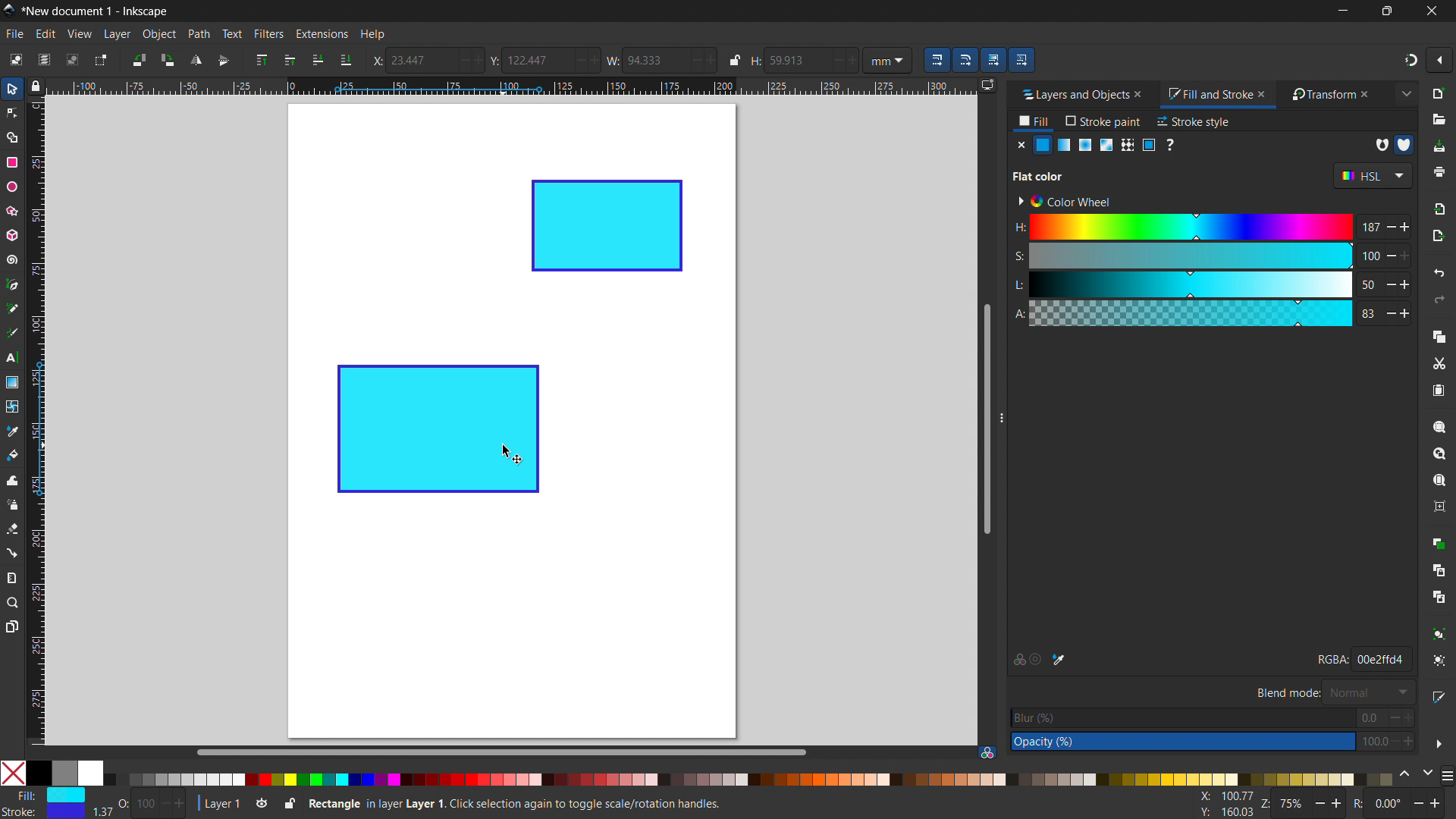 This screenshot has width=1456, height=819. I want to click on move patterns along with the objects, so click(1021, 59).